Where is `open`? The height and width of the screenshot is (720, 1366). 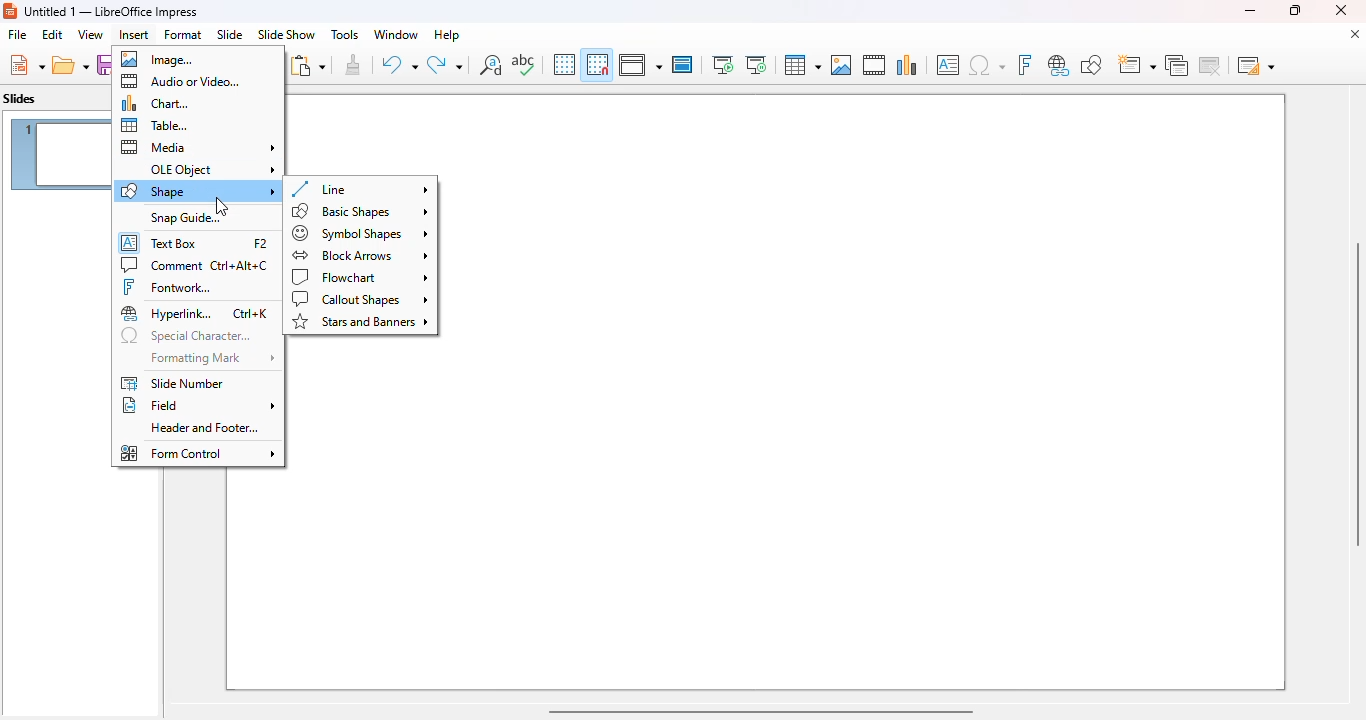
open is located at coordinates (71, 66).